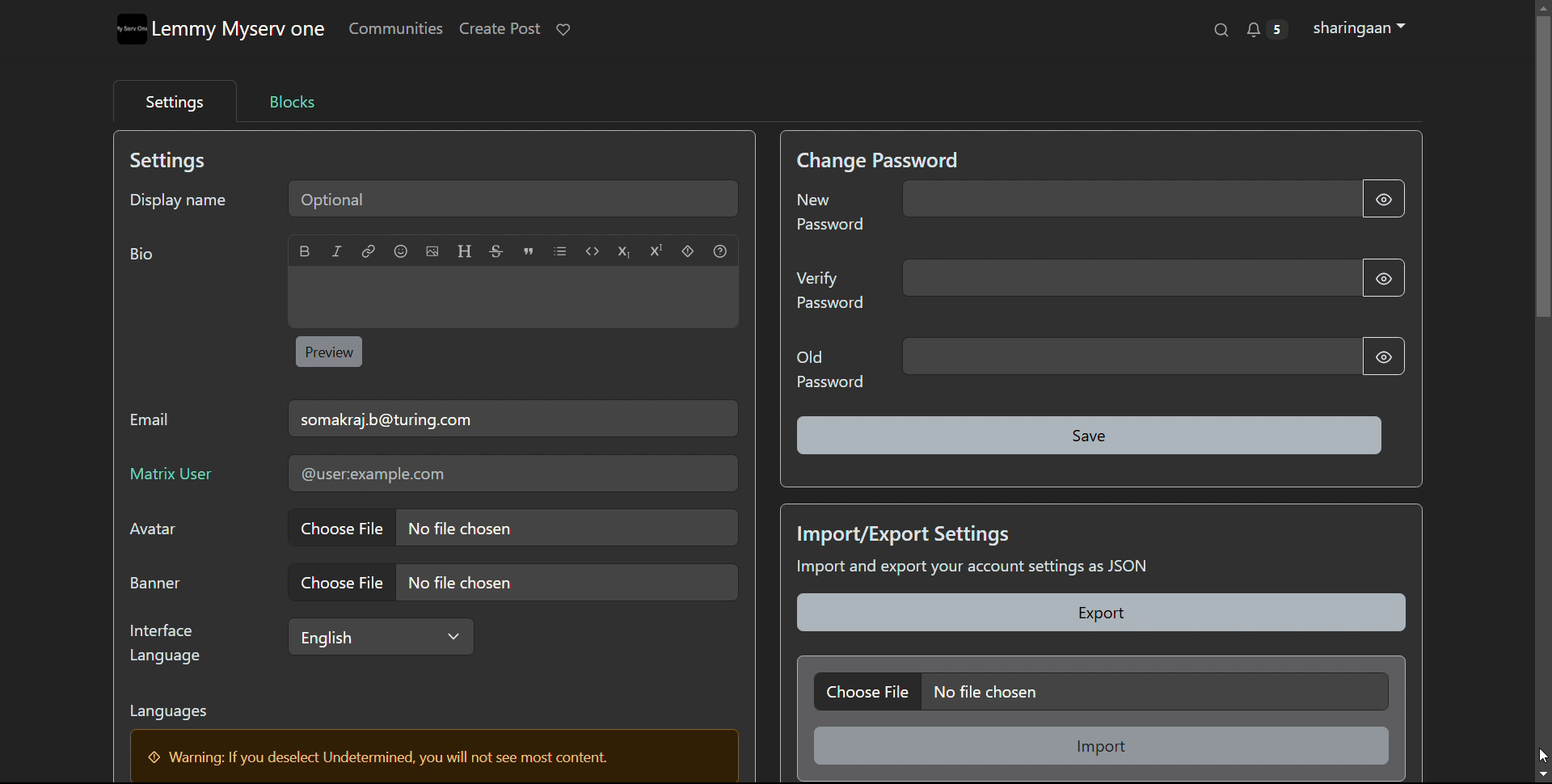  I want to click on settings, so click(175, 103).